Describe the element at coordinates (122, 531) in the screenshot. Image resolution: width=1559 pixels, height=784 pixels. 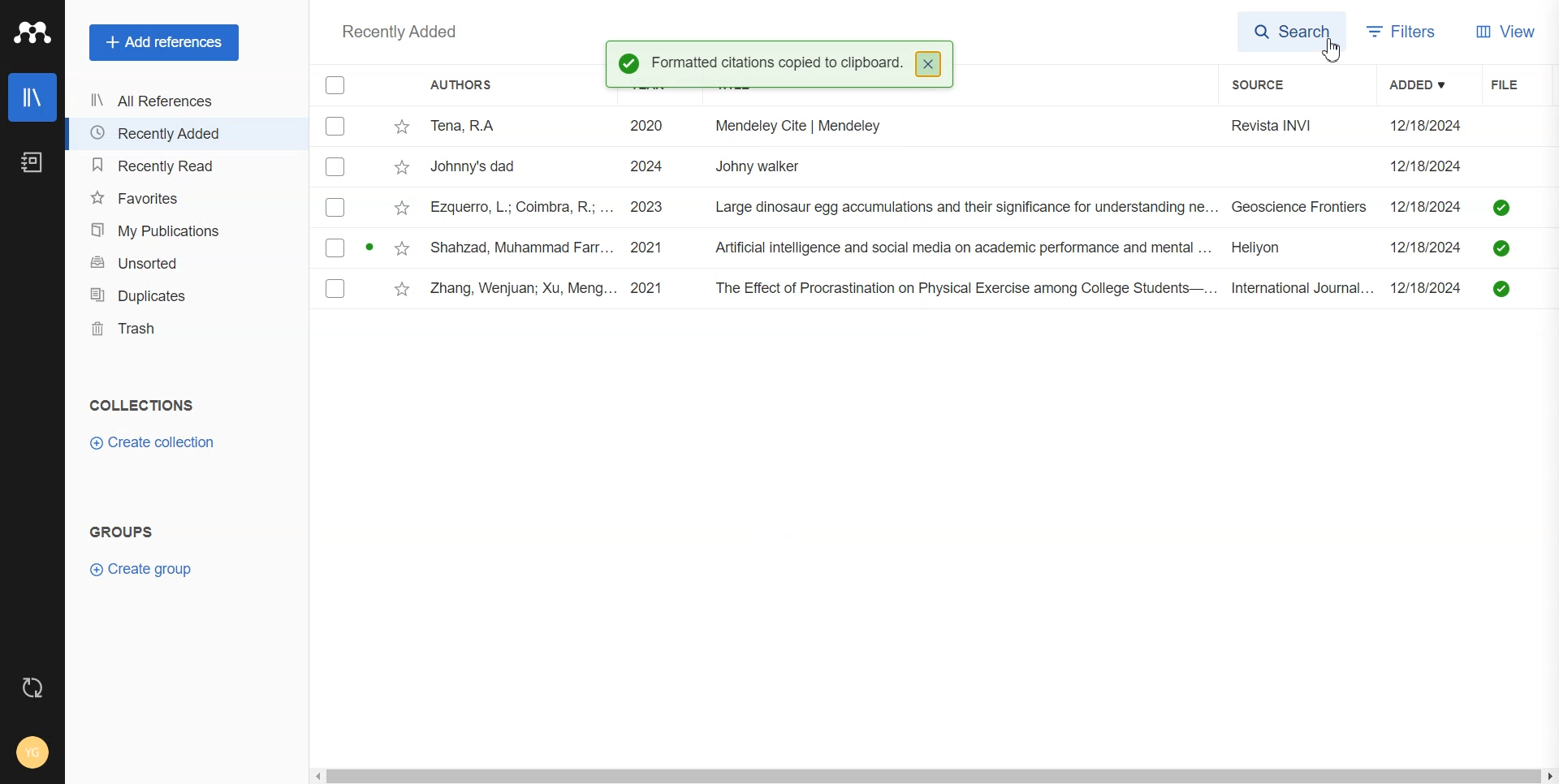
I see `GROUPS` at that location.